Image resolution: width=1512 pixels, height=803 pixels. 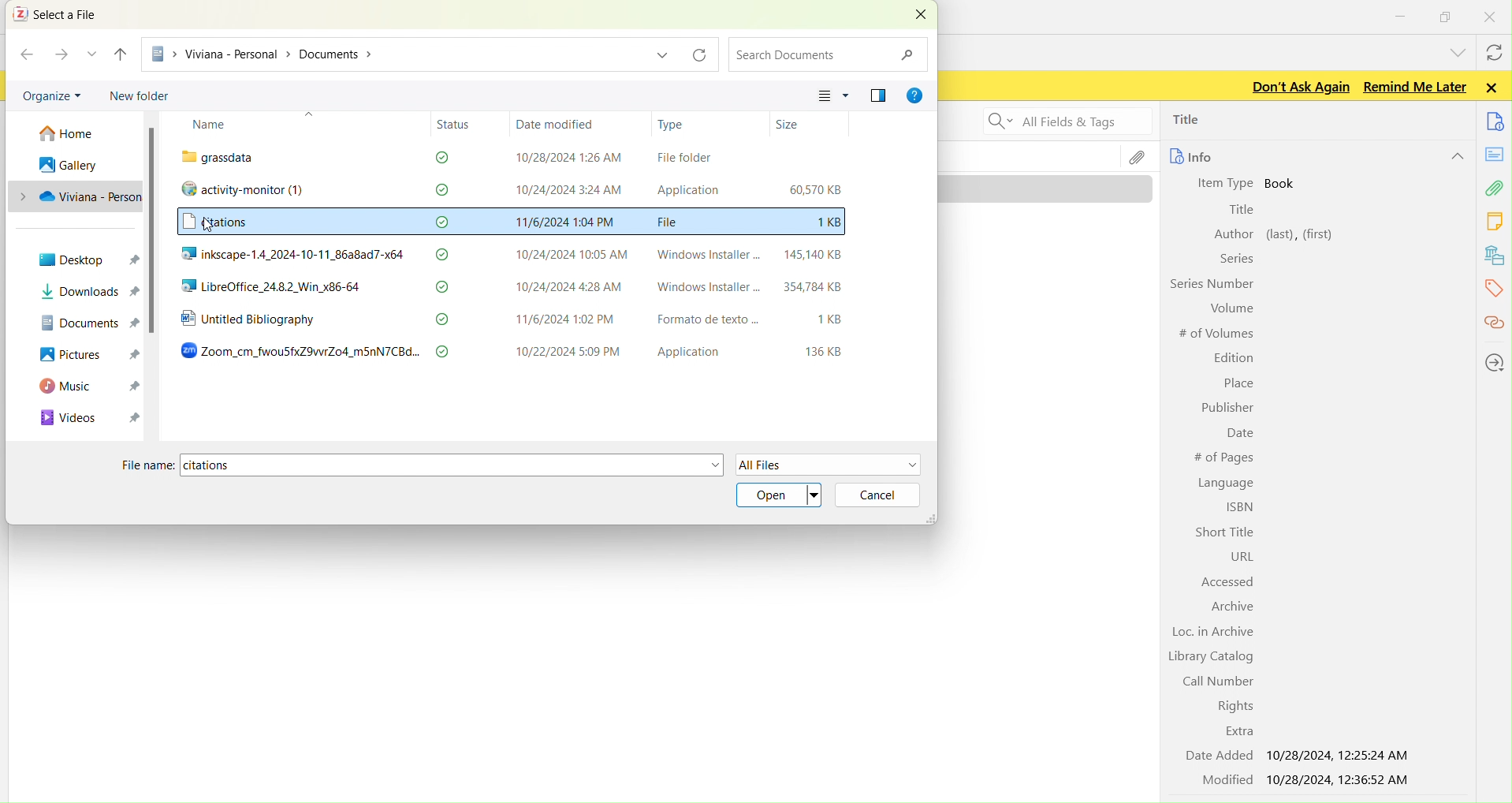 I want to click on CLOSE, so click(x=918, y=17).